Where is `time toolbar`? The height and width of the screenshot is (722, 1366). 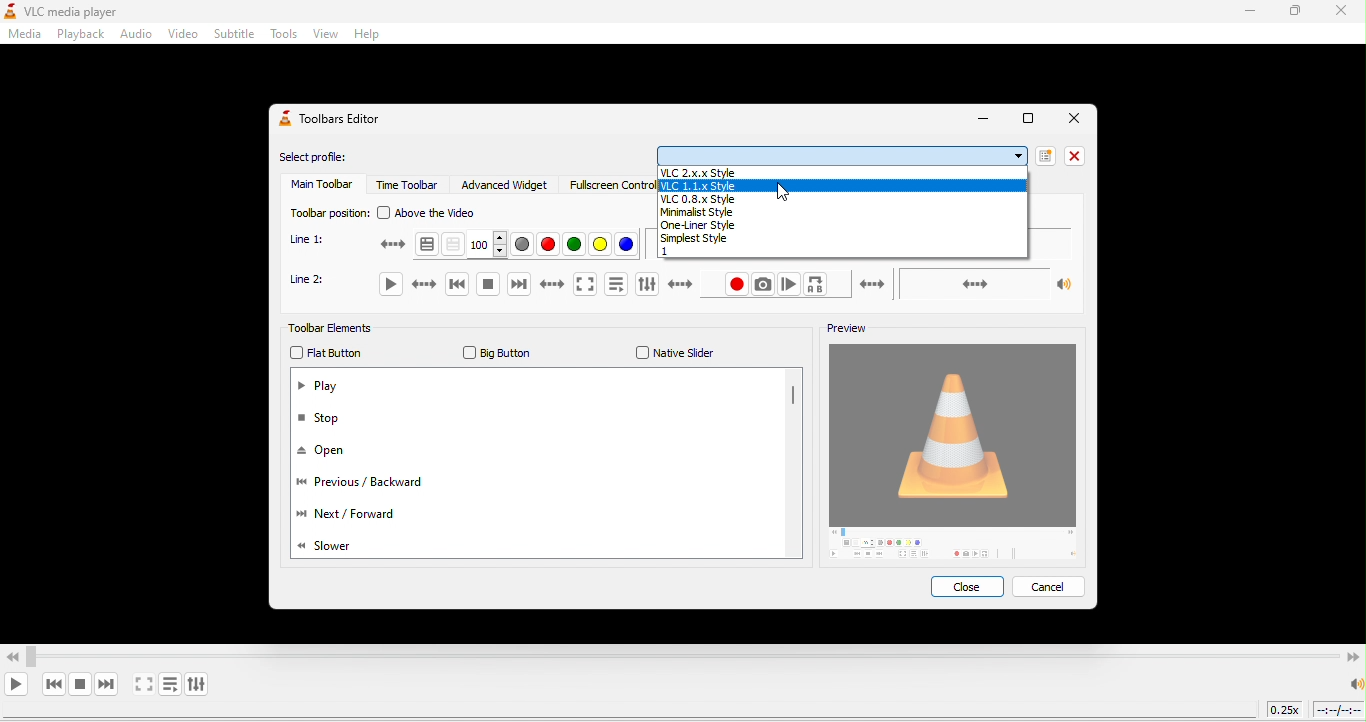 time toolbar is located at coordinates (409, 185).